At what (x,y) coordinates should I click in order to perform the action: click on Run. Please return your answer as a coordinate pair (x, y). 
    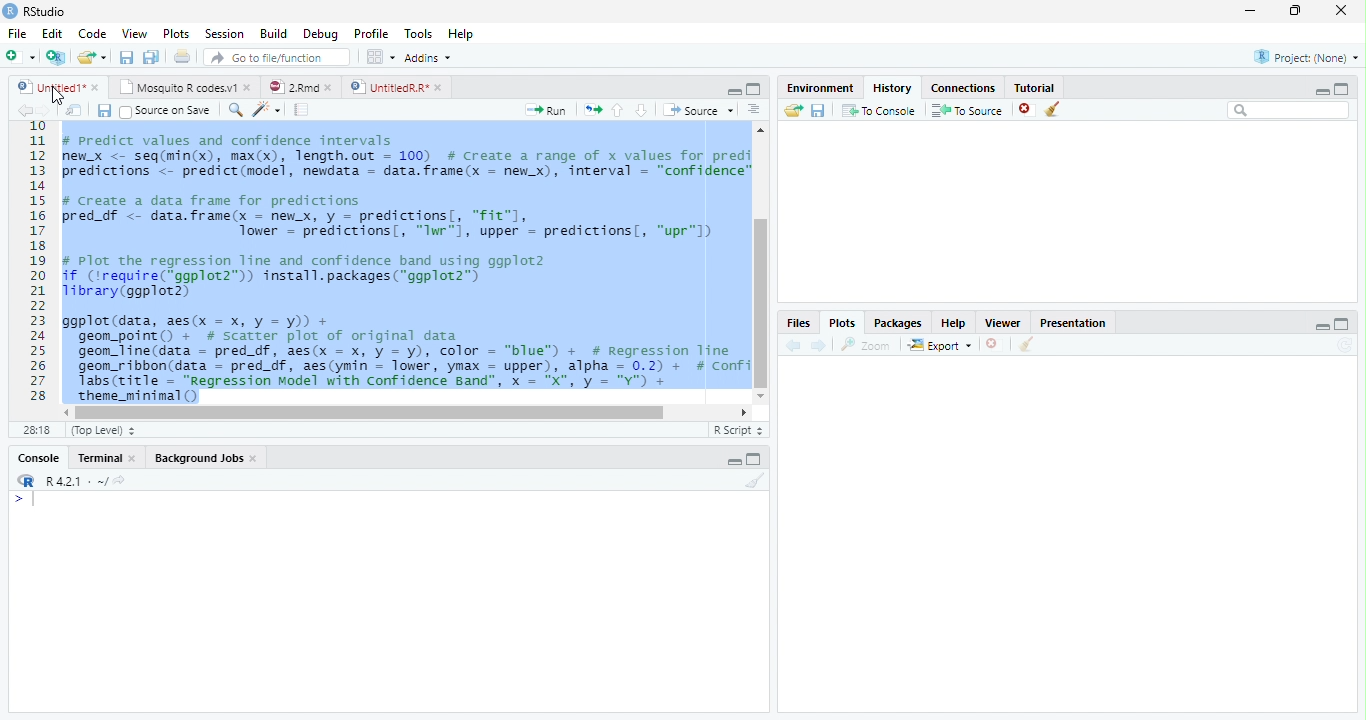
    Looking at the image, I should click on (544, 111).